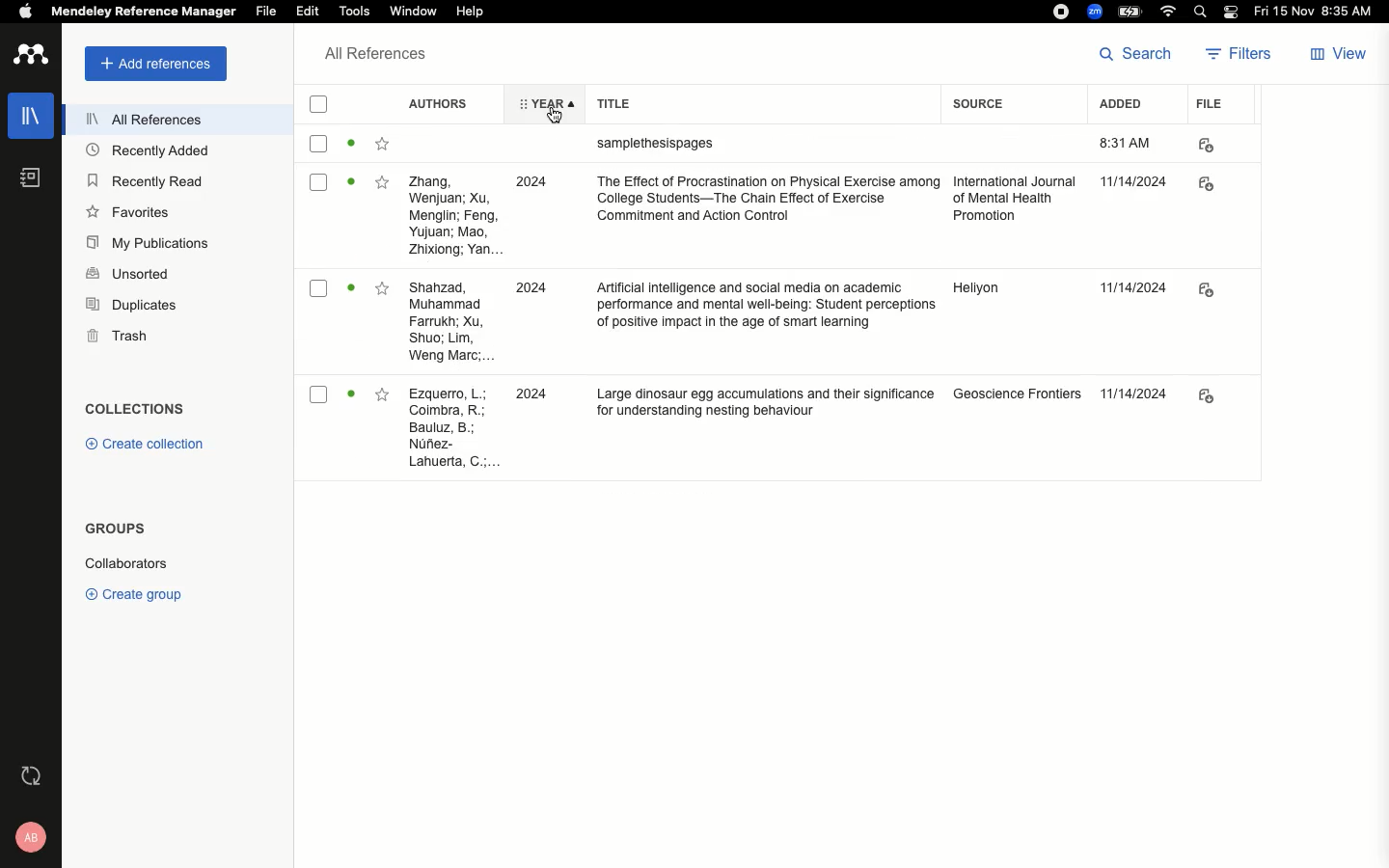 The height and width of the screenshot is (868, 1389). Describe the element at coordinates (1015, 202) in the screenshot. I see `source` at that location.